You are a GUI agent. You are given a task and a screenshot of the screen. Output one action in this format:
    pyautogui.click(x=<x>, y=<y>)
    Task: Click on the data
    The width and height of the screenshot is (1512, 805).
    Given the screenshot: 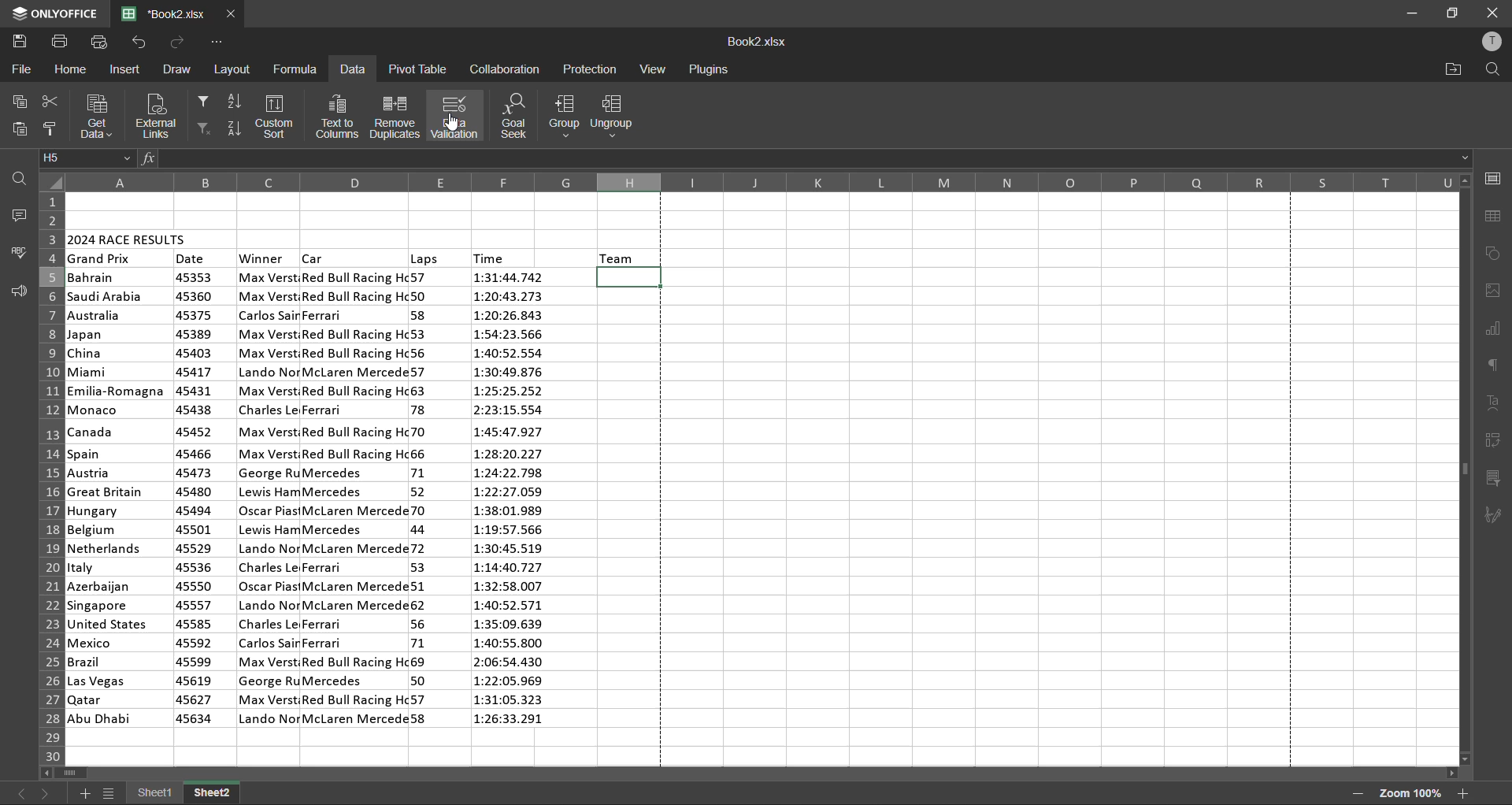 What is the action you would take?
    pyautogui.click(x=352, y=71)
    